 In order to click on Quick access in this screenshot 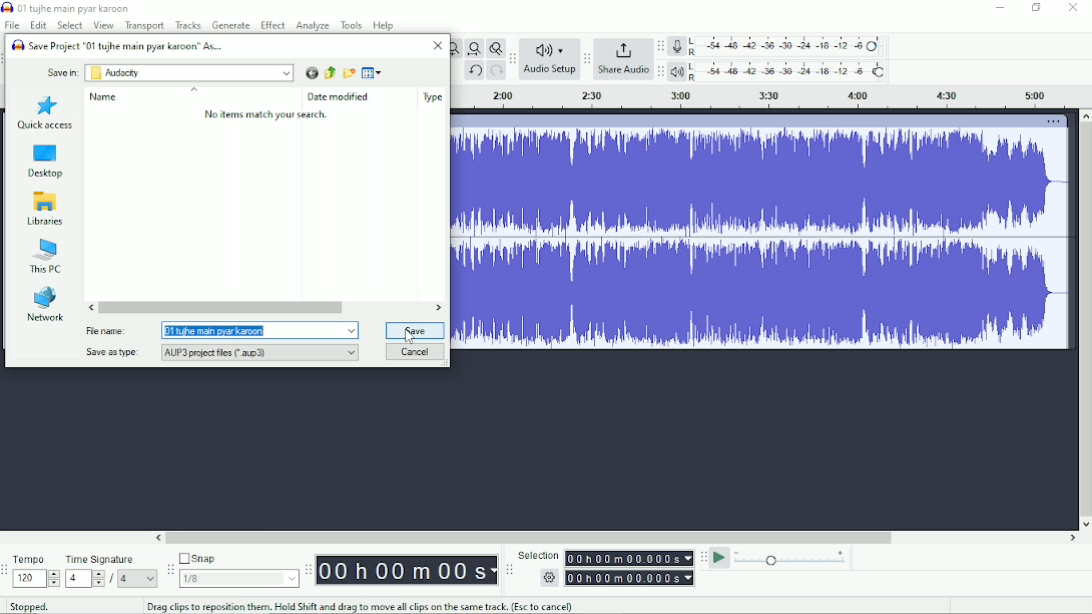, I will do `click(45, 114)`.